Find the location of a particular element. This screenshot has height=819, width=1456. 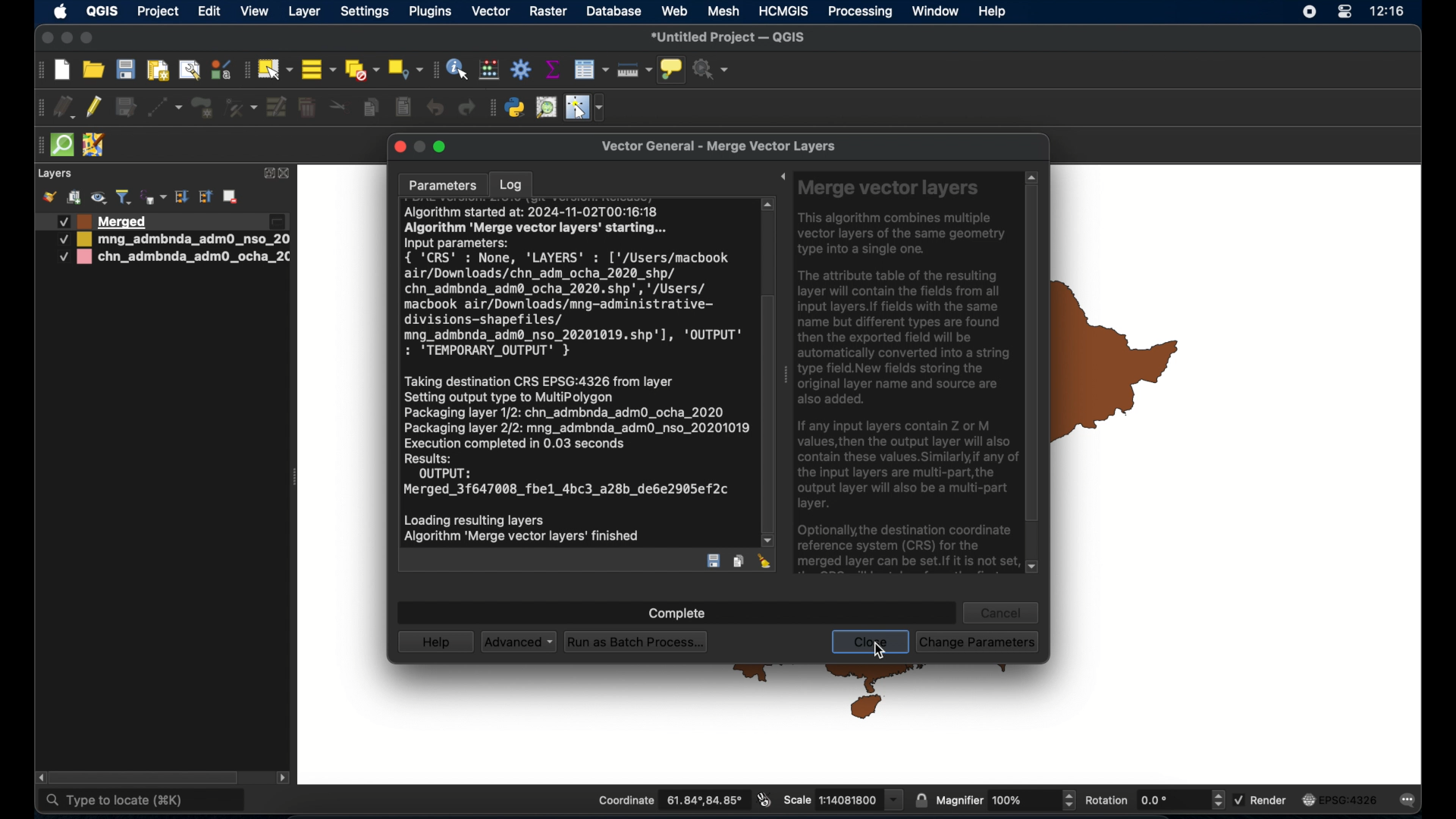

undo is located at coordinates (436, 108).